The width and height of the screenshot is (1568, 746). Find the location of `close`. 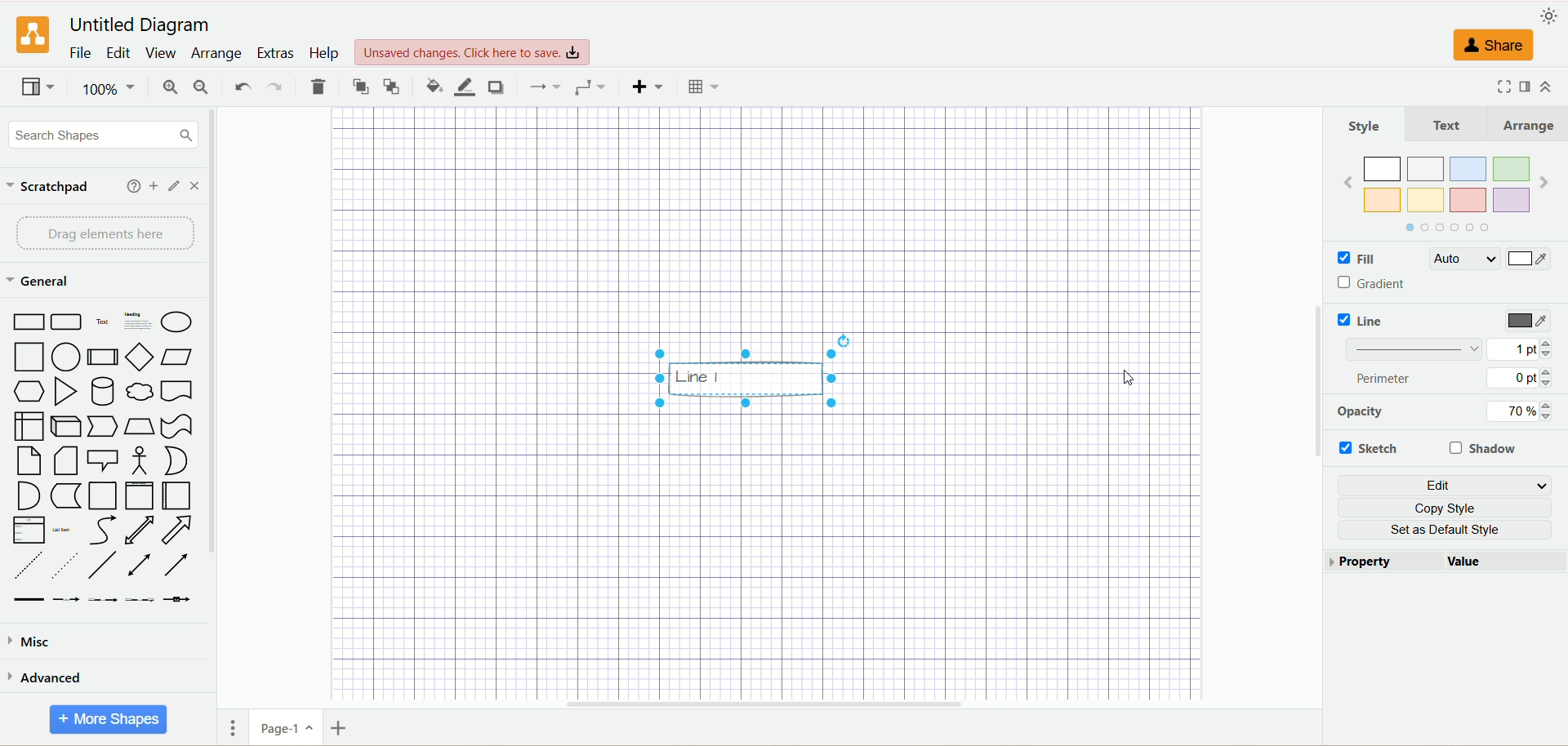

close is located at coordinates (195, 185).